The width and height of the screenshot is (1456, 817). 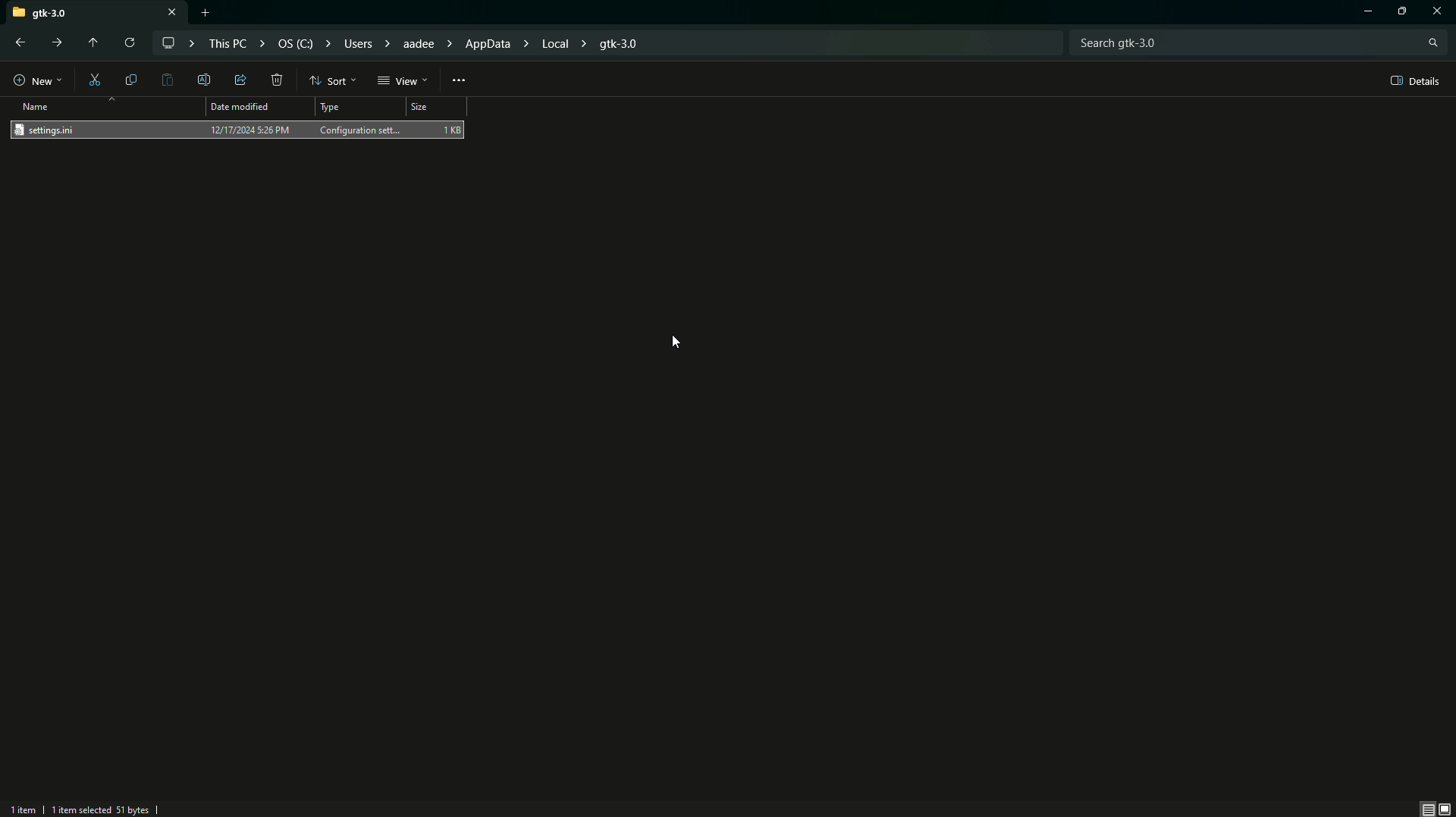 I want to click on Paste, so click(x=168, y=81).